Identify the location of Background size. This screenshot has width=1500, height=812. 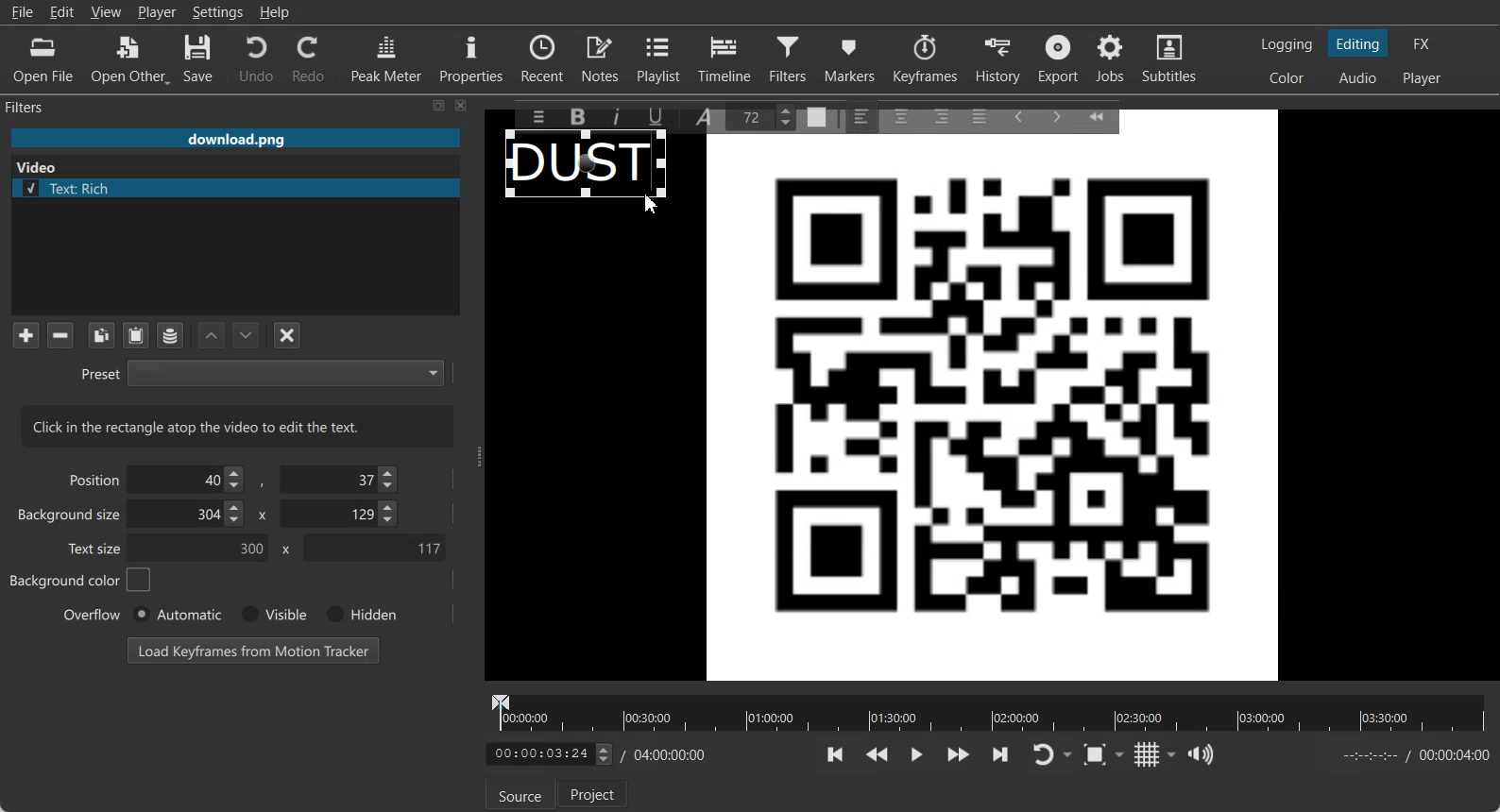
(71, 518).